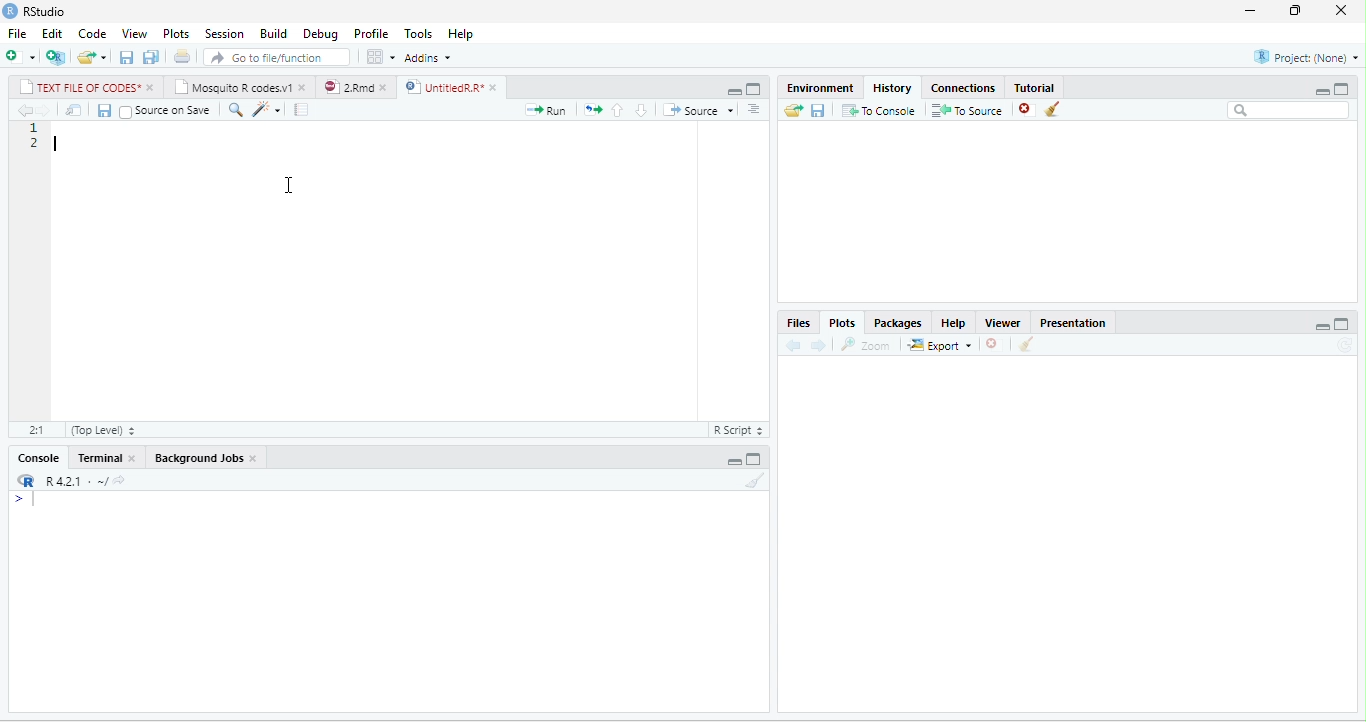  What do you see at coordinates (17, 33) in the screenshot?
I see `File` at bounding box center [17, 33].